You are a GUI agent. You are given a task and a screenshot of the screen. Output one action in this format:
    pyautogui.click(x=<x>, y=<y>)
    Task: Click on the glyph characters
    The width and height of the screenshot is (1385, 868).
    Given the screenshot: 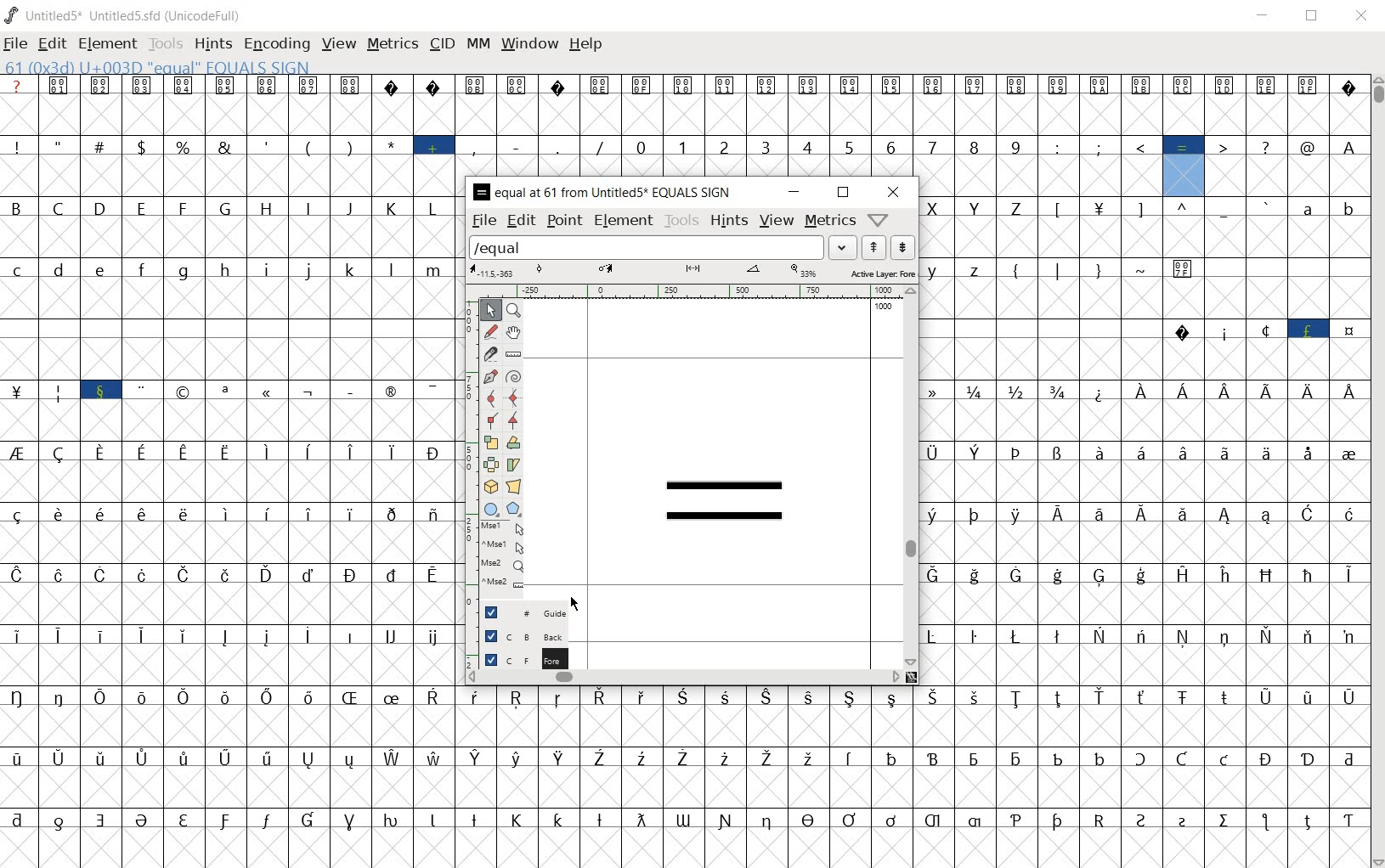 What is the action you would take?
    pyautogui.click(x=913, y=775)
    